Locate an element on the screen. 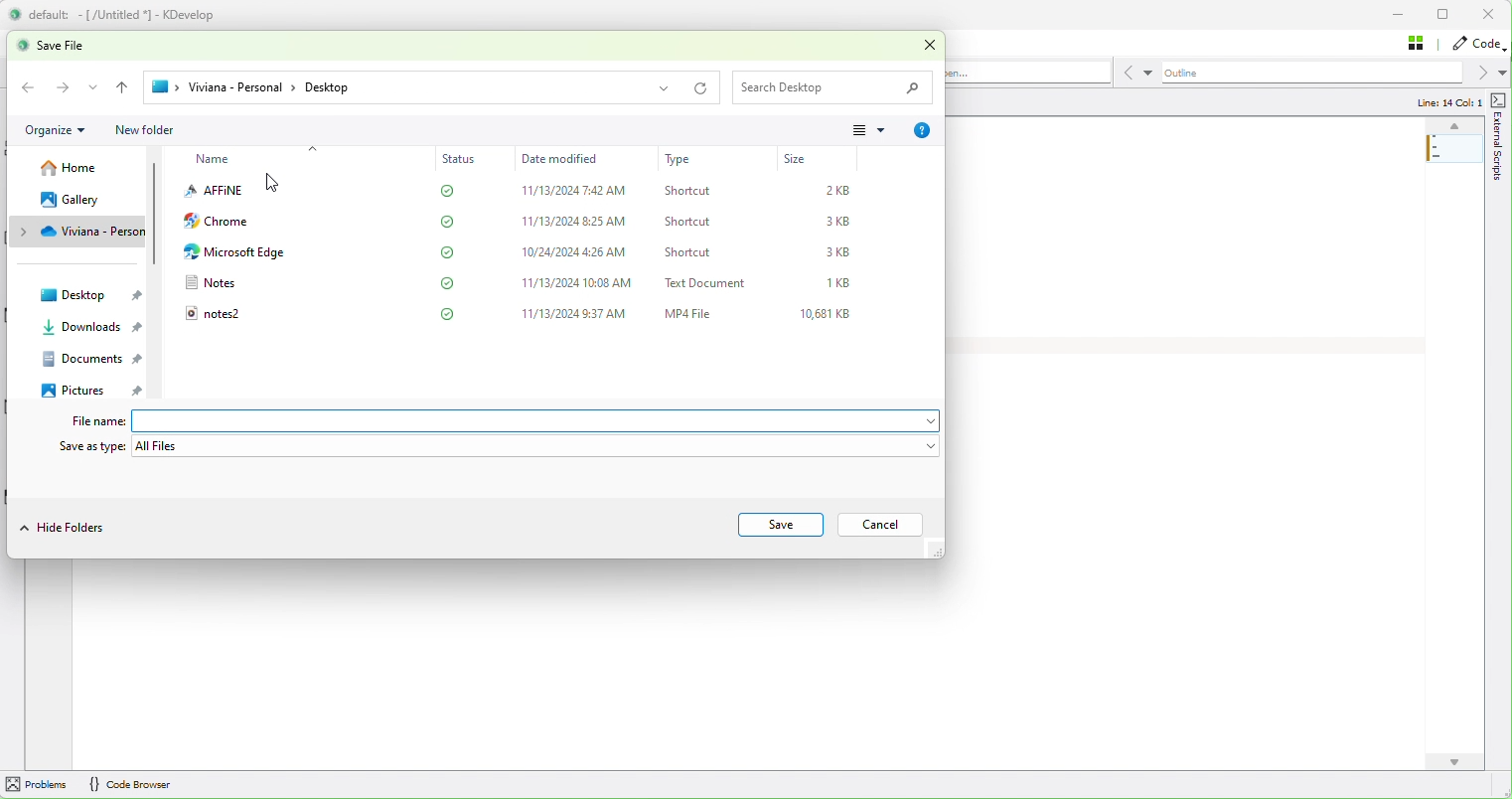 This screenshot has width=1512, height=799. {} code Browser is located at coordinates (129, 783).